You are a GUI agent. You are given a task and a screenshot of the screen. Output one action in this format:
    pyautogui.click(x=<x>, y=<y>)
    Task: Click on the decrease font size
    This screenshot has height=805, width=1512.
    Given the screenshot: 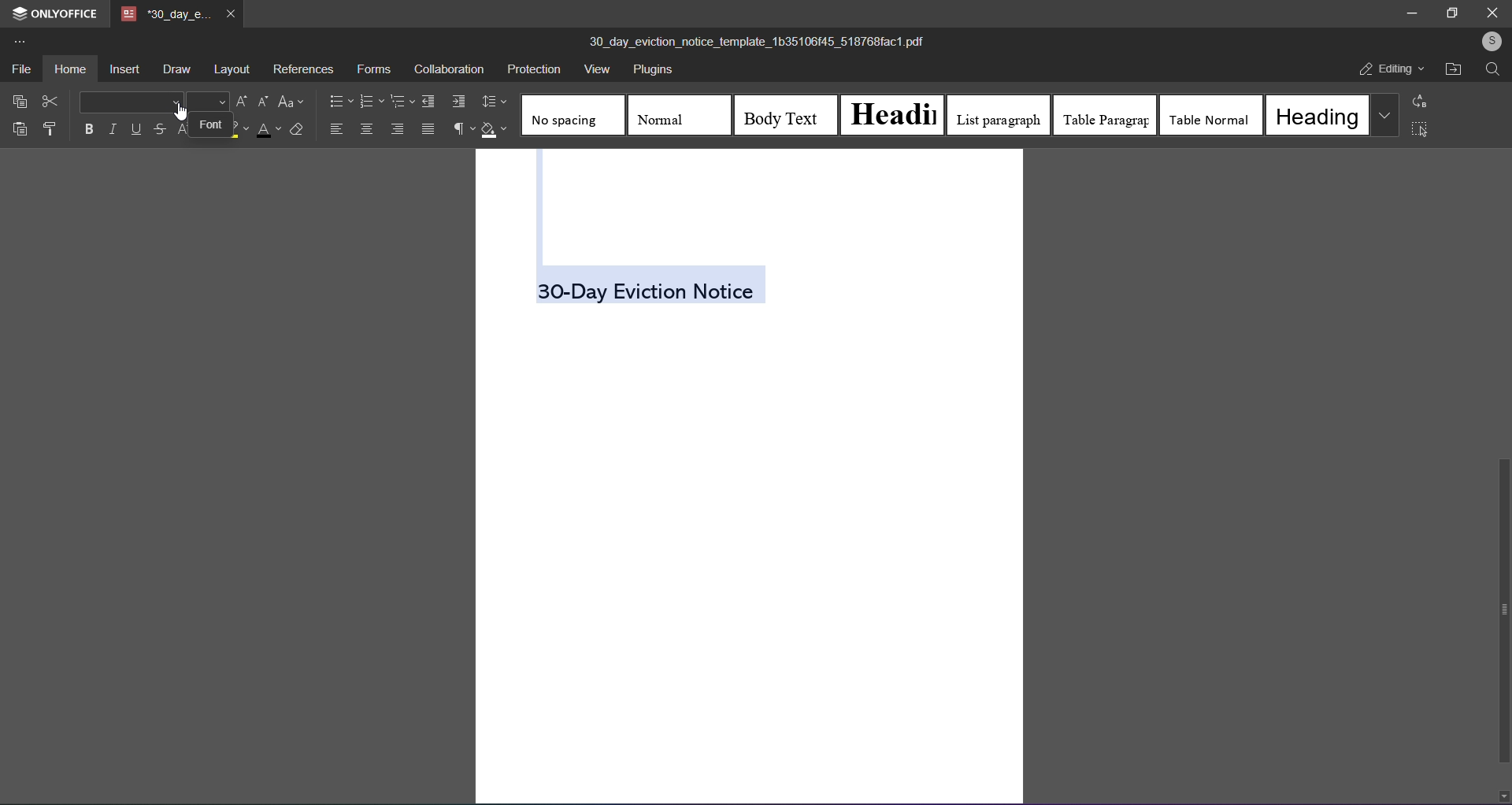 What is the action you would take?
    pyautogui.click(x=263, y=102)
    